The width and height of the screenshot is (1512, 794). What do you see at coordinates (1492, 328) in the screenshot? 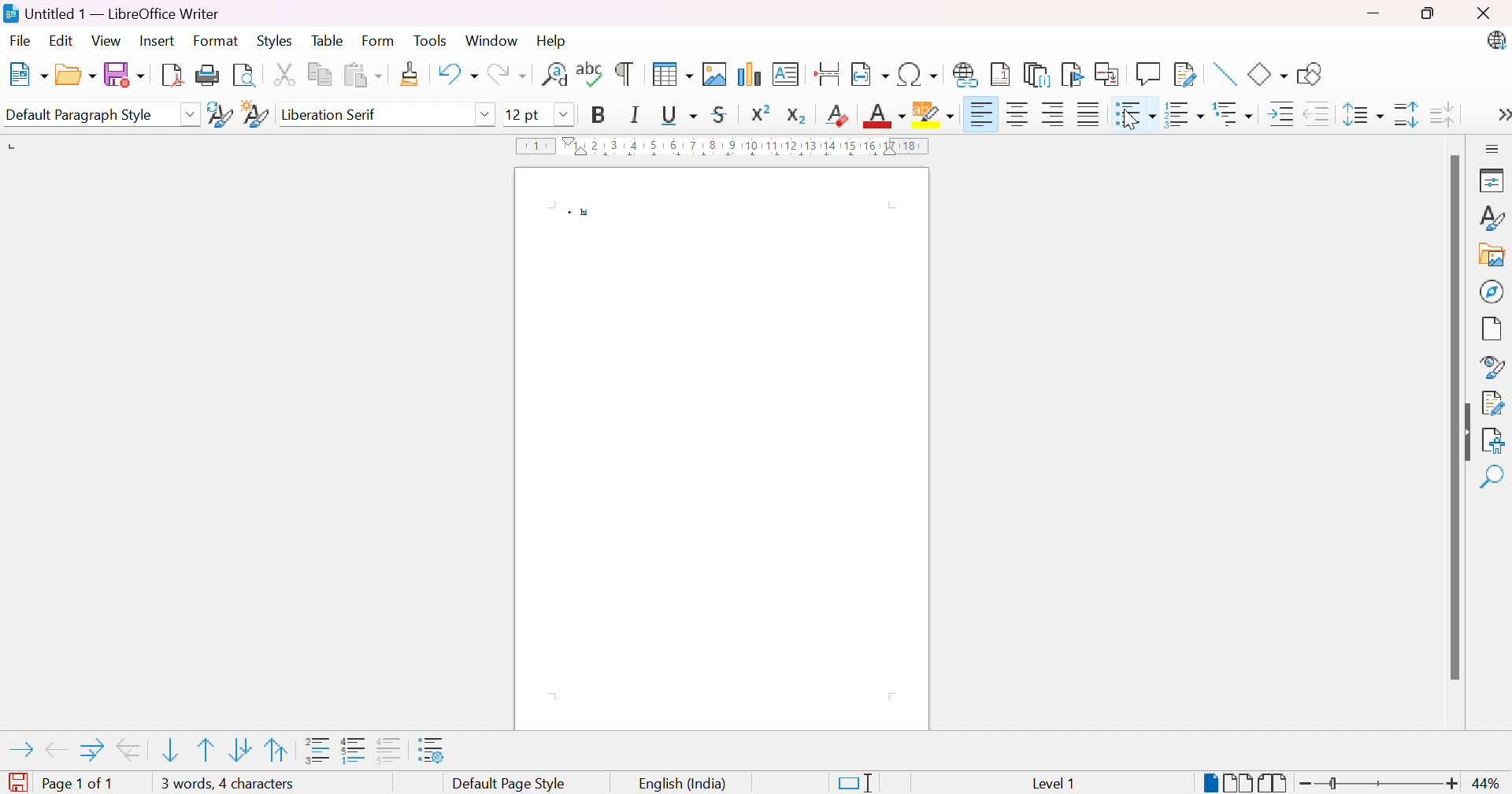
I see `Page` at bounding box center [1492, 328].